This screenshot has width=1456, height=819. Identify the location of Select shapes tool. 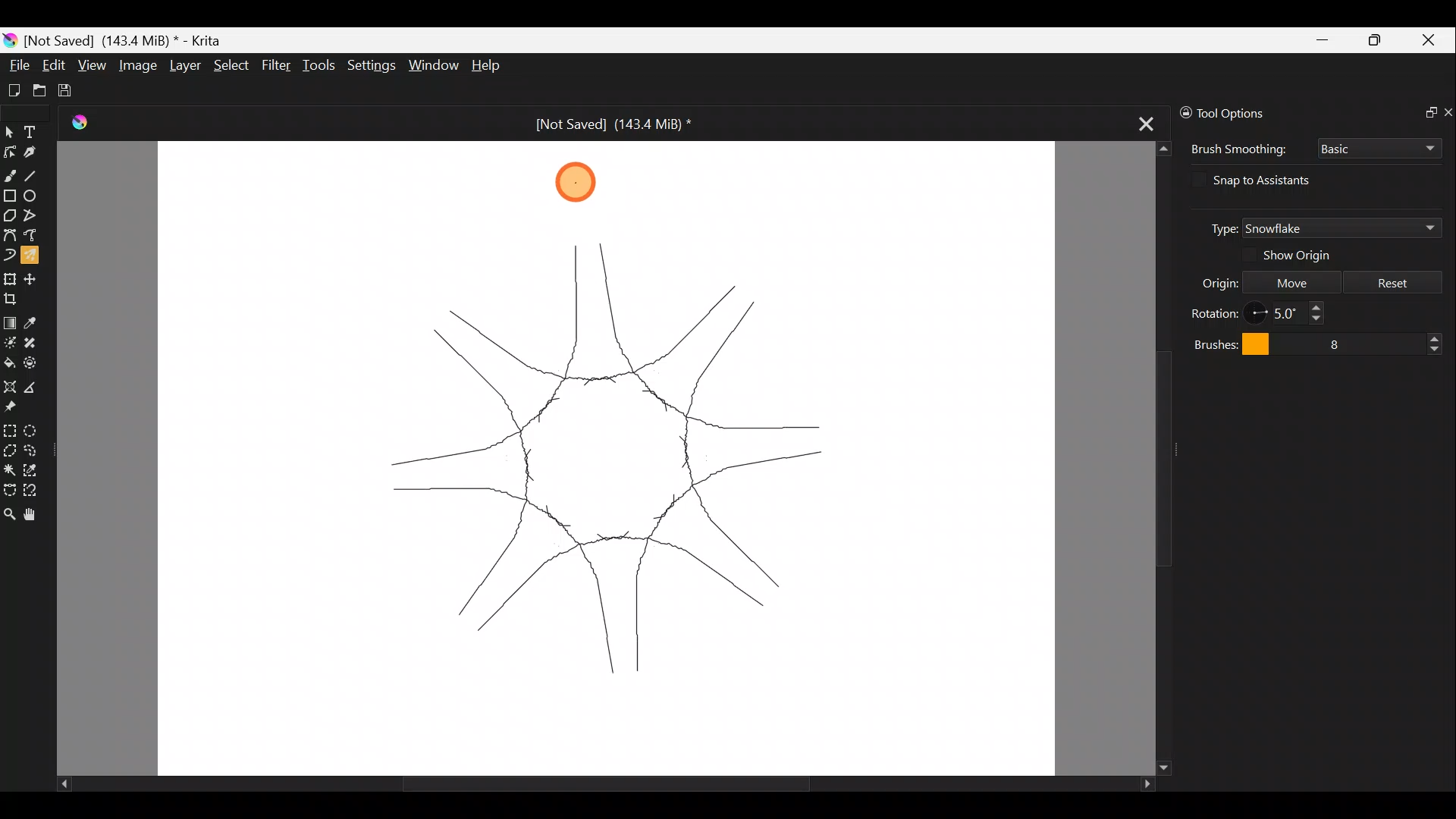
(10, 131).